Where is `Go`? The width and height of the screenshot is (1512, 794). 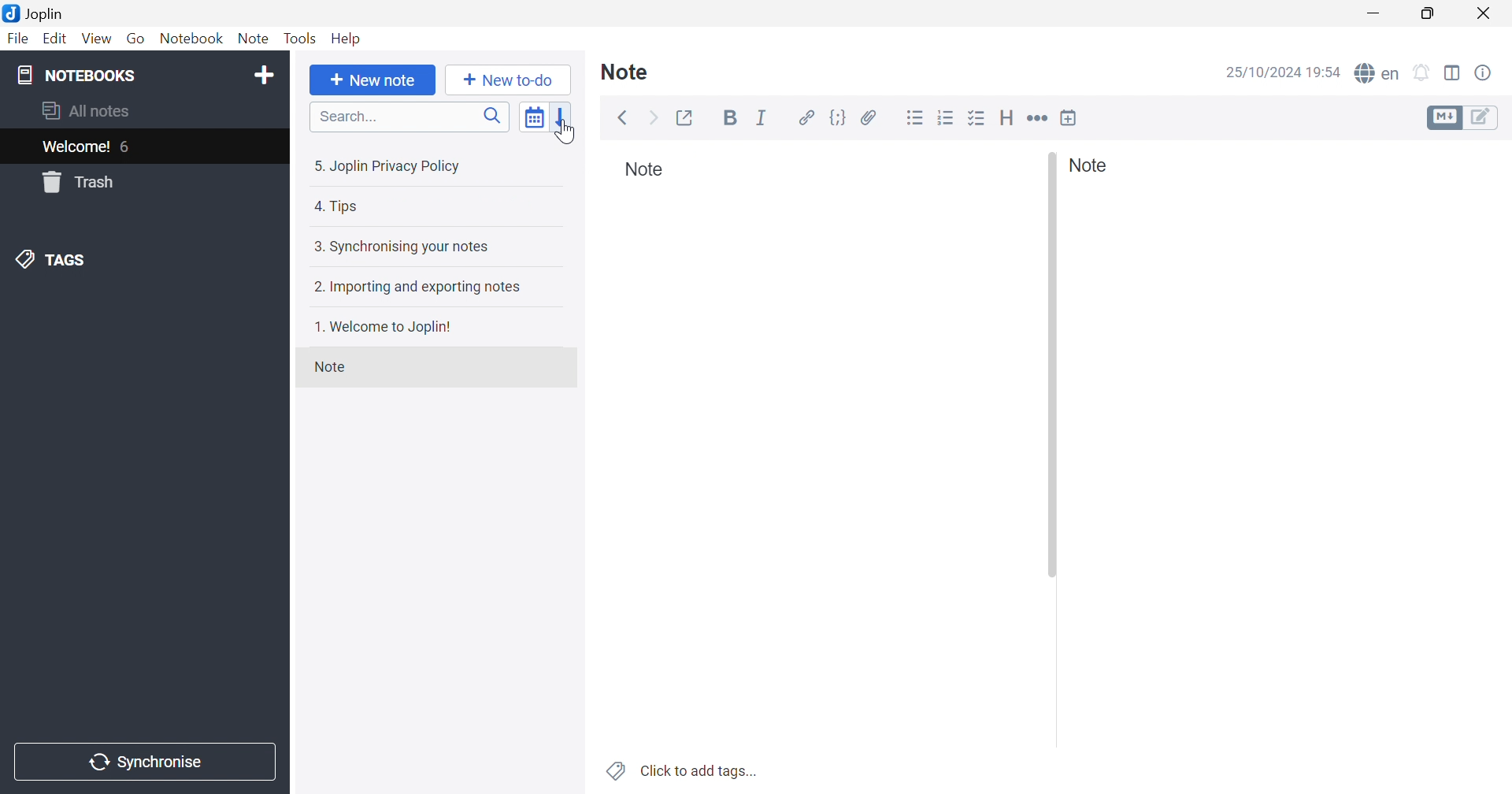
Go is located at coordinates (136, 39).